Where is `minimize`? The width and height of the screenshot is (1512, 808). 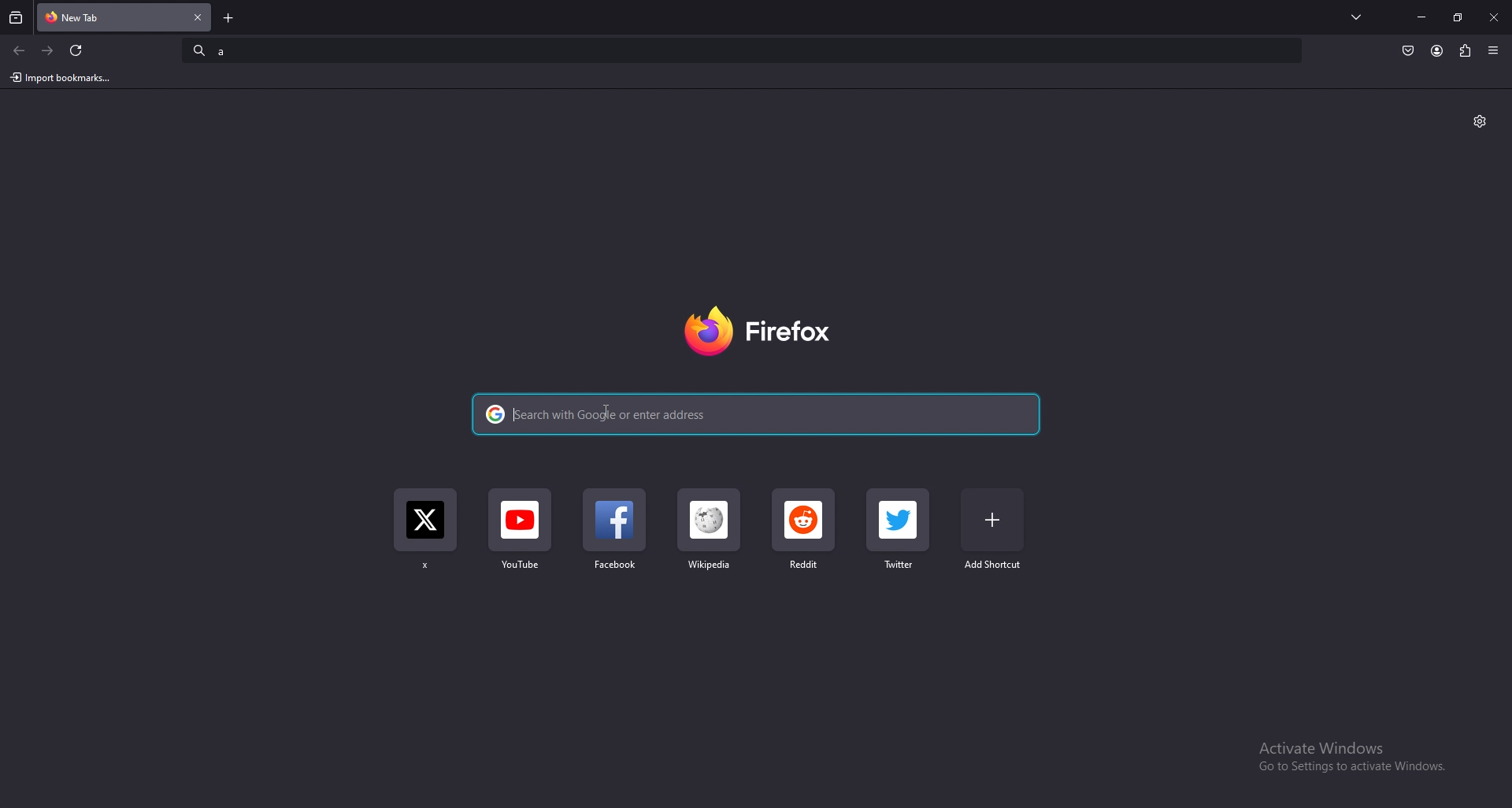
minimize is located at coordinates (1422, 17).